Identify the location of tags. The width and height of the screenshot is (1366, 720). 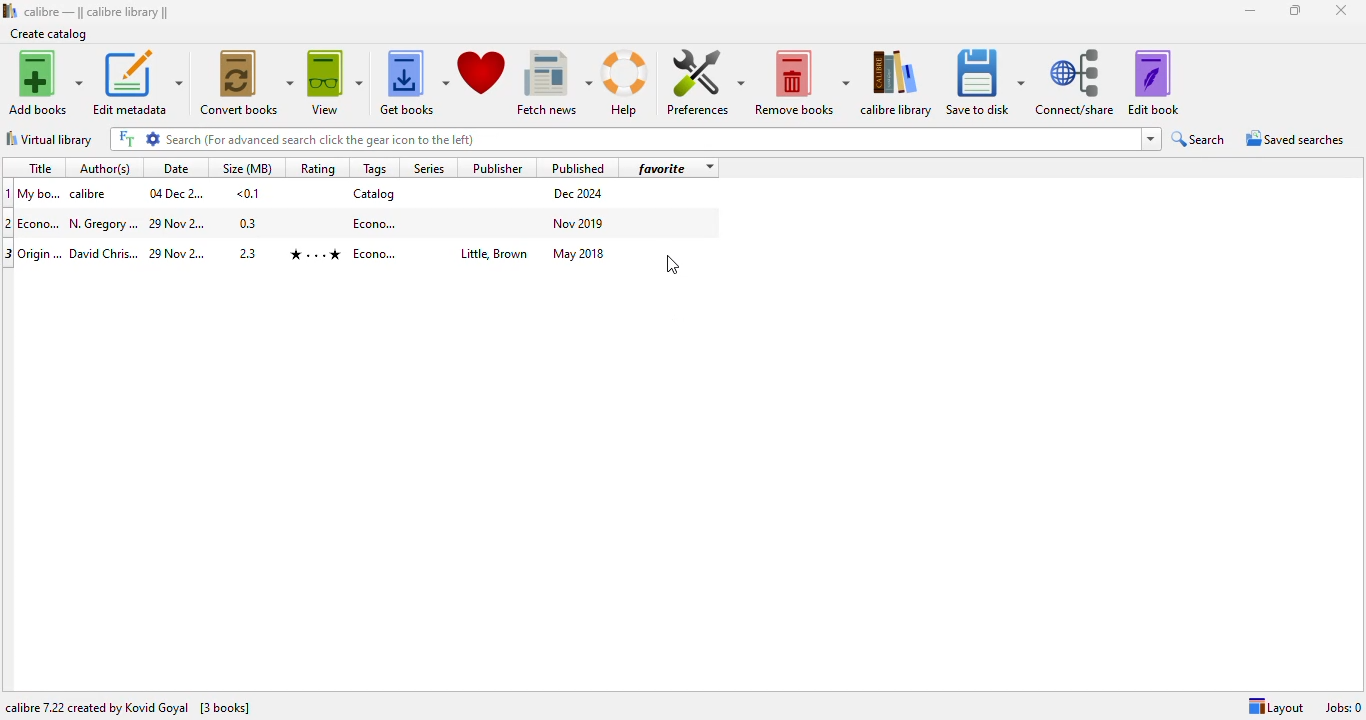
(375, 168).